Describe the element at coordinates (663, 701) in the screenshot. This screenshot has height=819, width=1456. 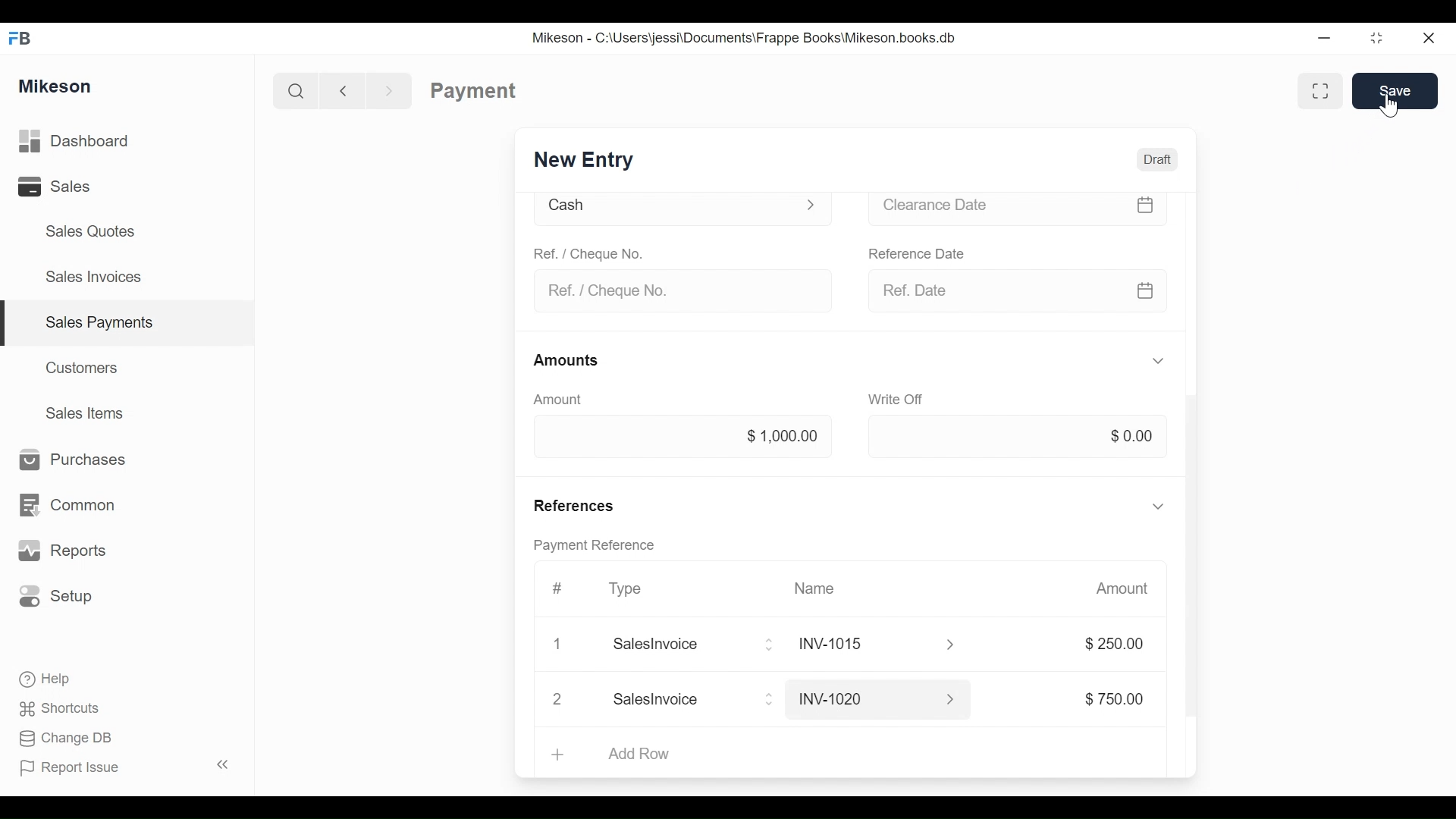
I see `Add Row` at that location.